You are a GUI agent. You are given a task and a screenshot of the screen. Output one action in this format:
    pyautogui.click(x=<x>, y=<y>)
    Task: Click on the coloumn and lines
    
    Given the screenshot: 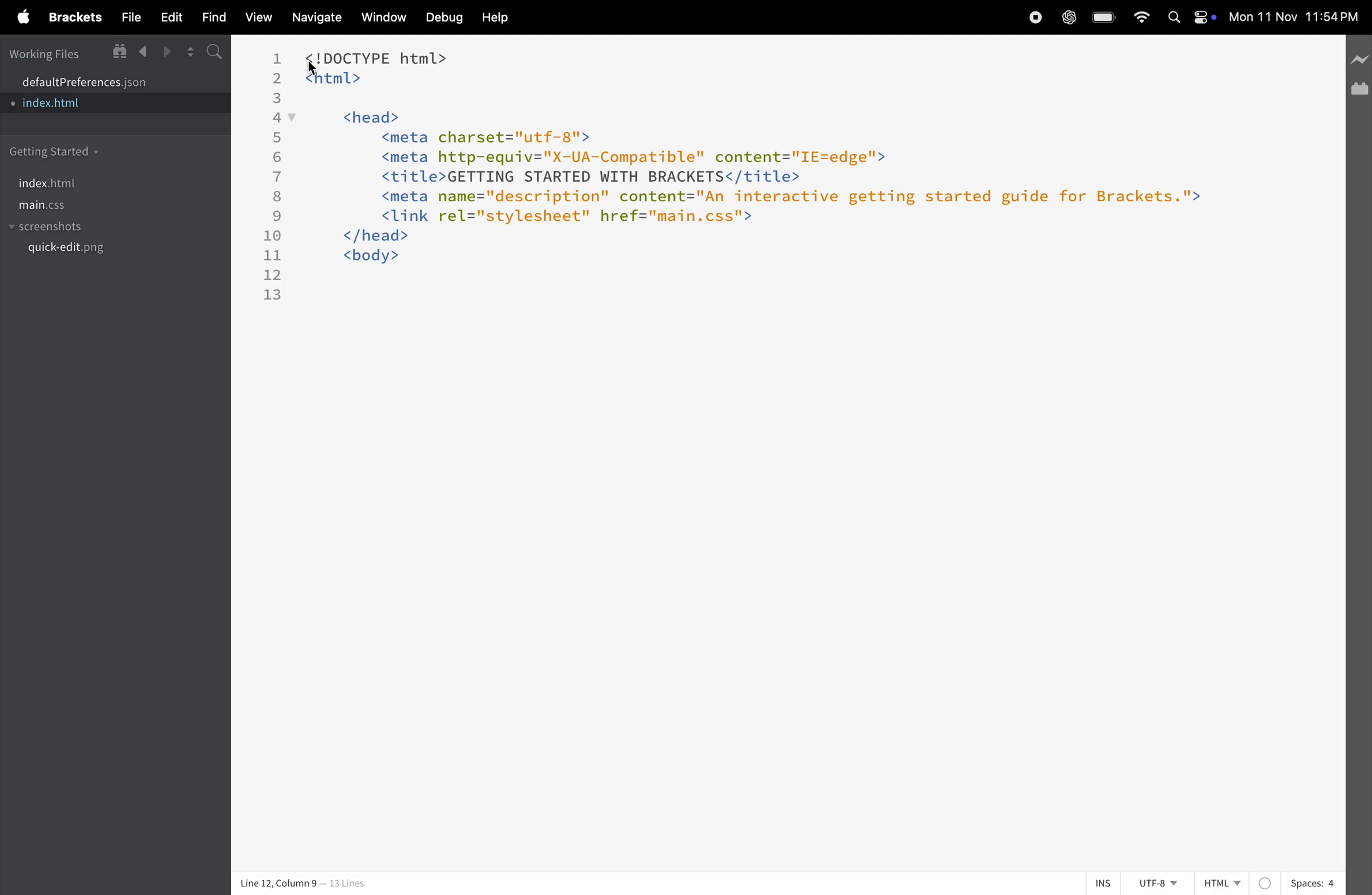 What is the action you would take?
    pyautogui.click(x=306, y=881)
    